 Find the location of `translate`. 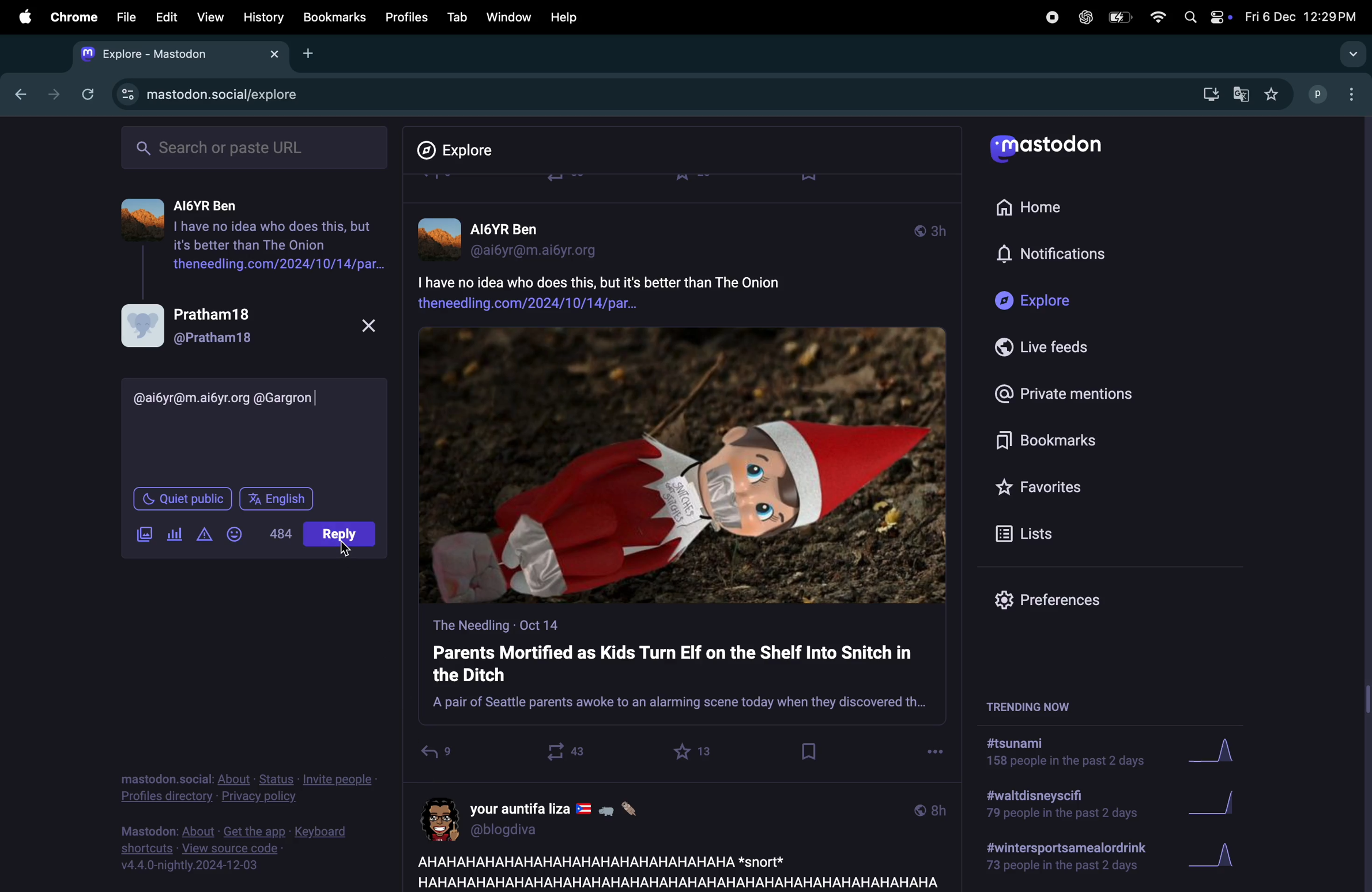

translate is located at coordinates (1241, 96).